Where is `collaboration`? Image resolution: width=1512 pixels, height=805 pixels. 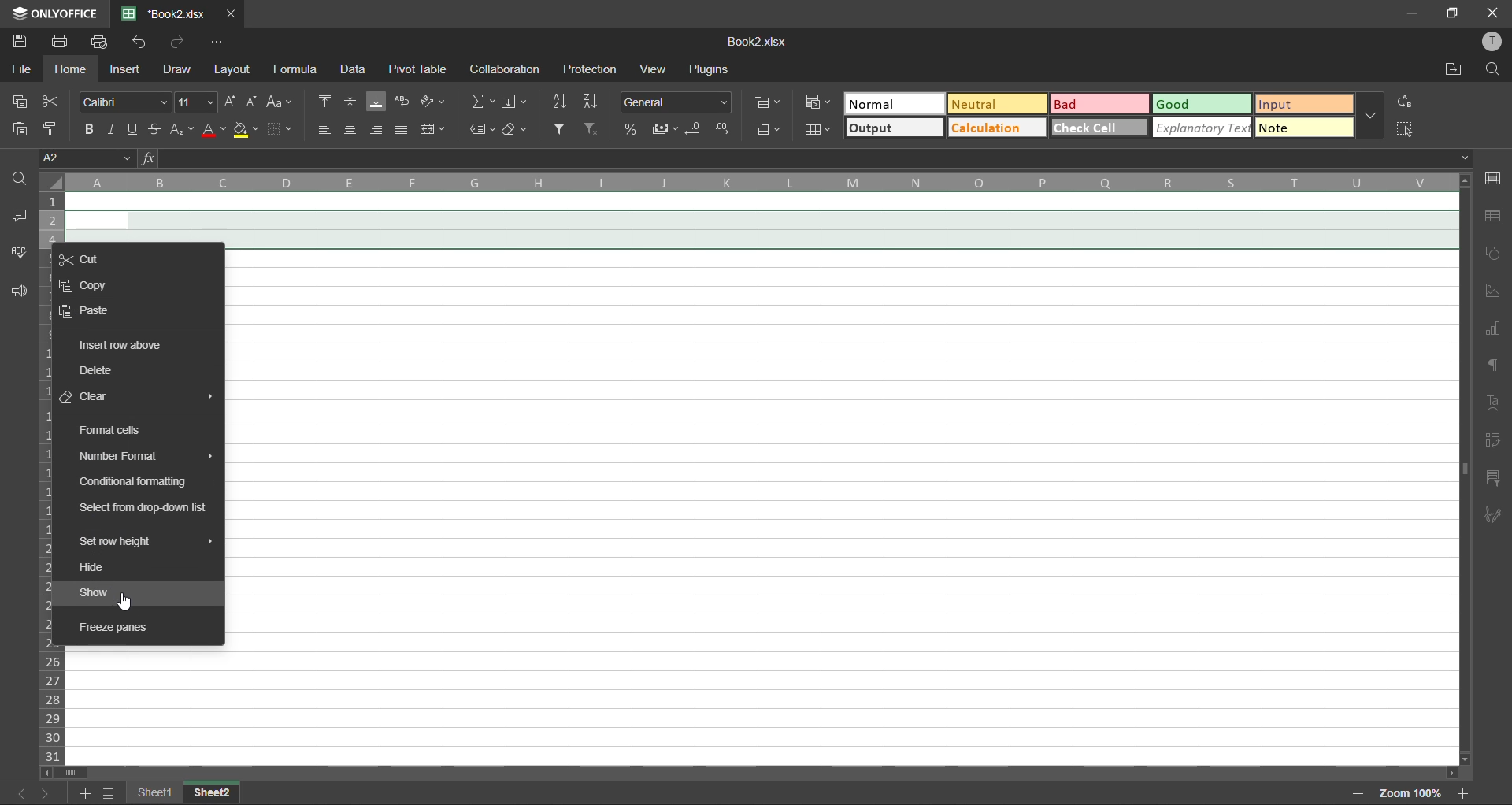 collaboration is located at coordinates (503, 69).